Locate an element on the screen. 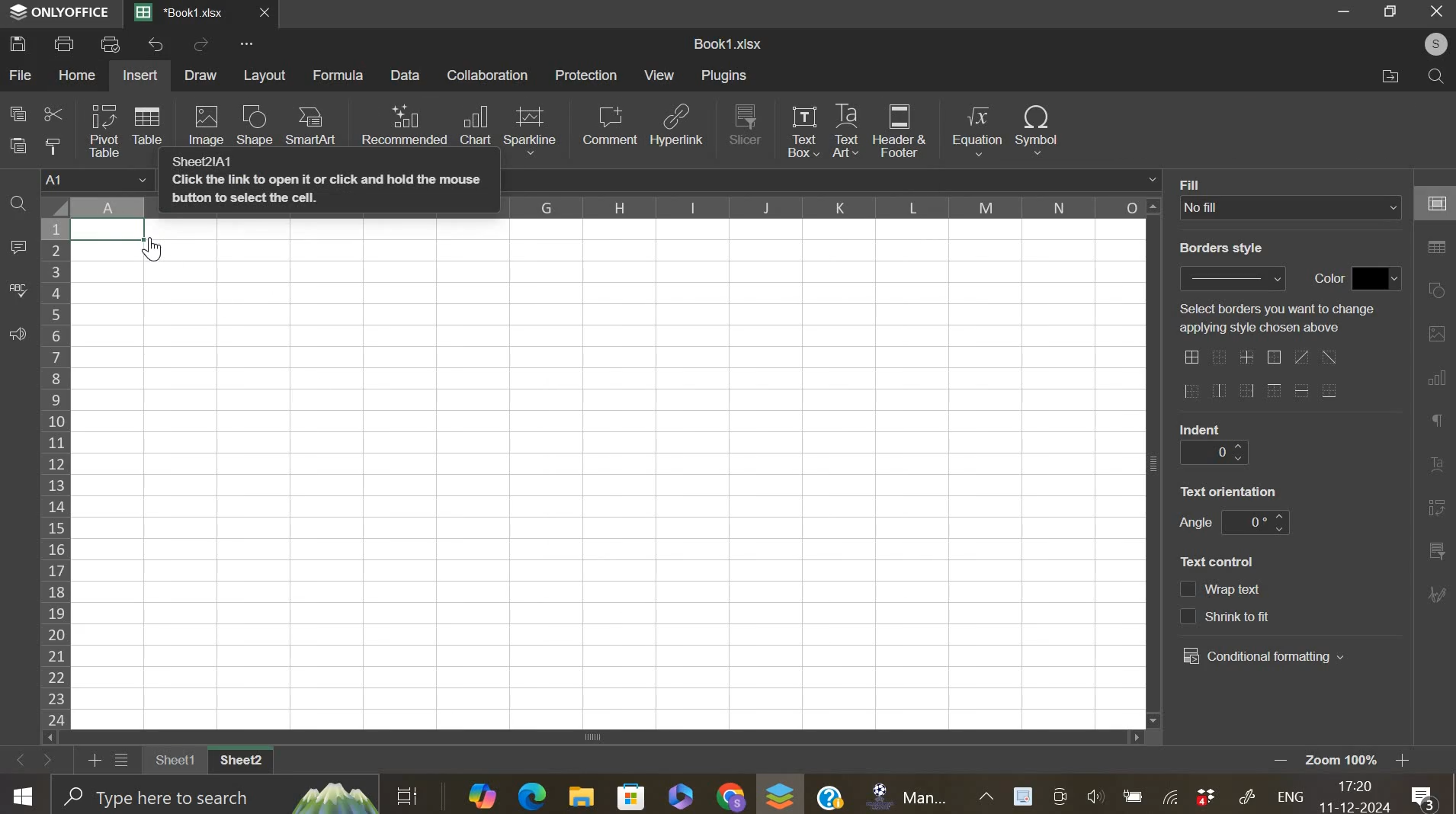  text is located at coordinates (1195, 524).